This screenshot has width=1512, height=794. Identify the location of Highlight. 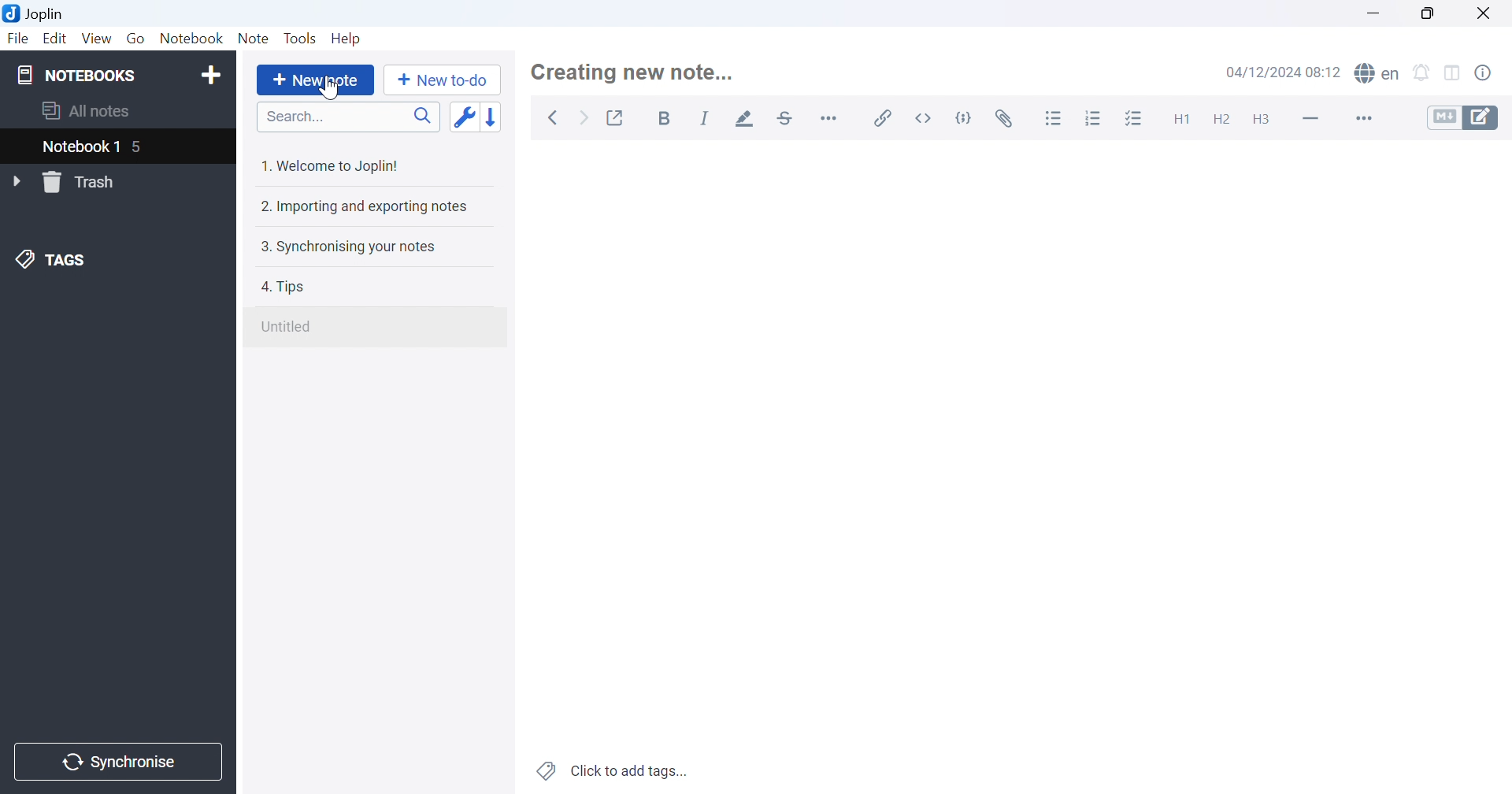
(743, 118).